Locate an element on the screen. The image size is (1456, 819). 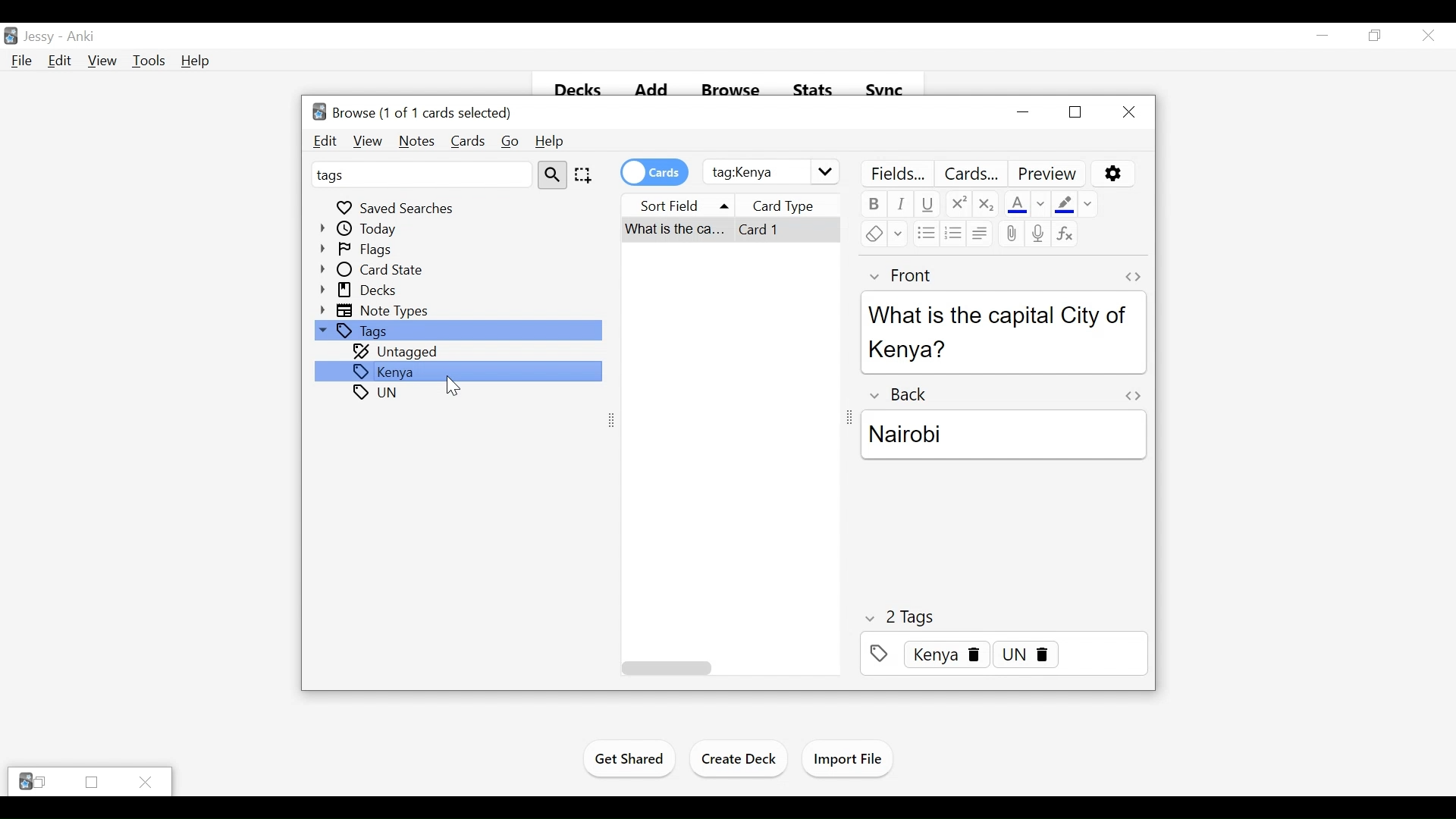
Tools is located at coordinates (149, 61).